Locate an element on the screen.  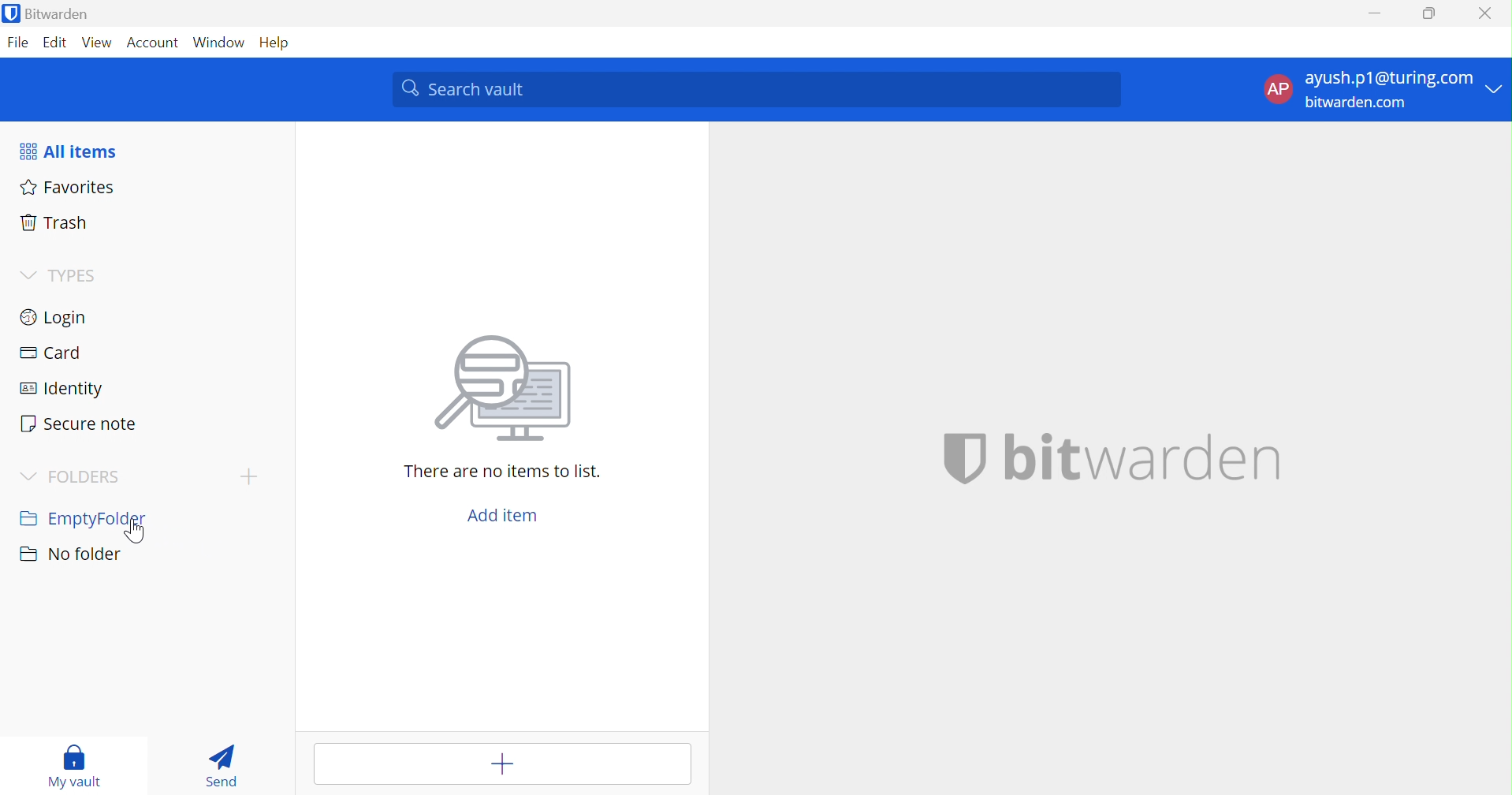
Empty Folder is located at coordinates (84, 521).